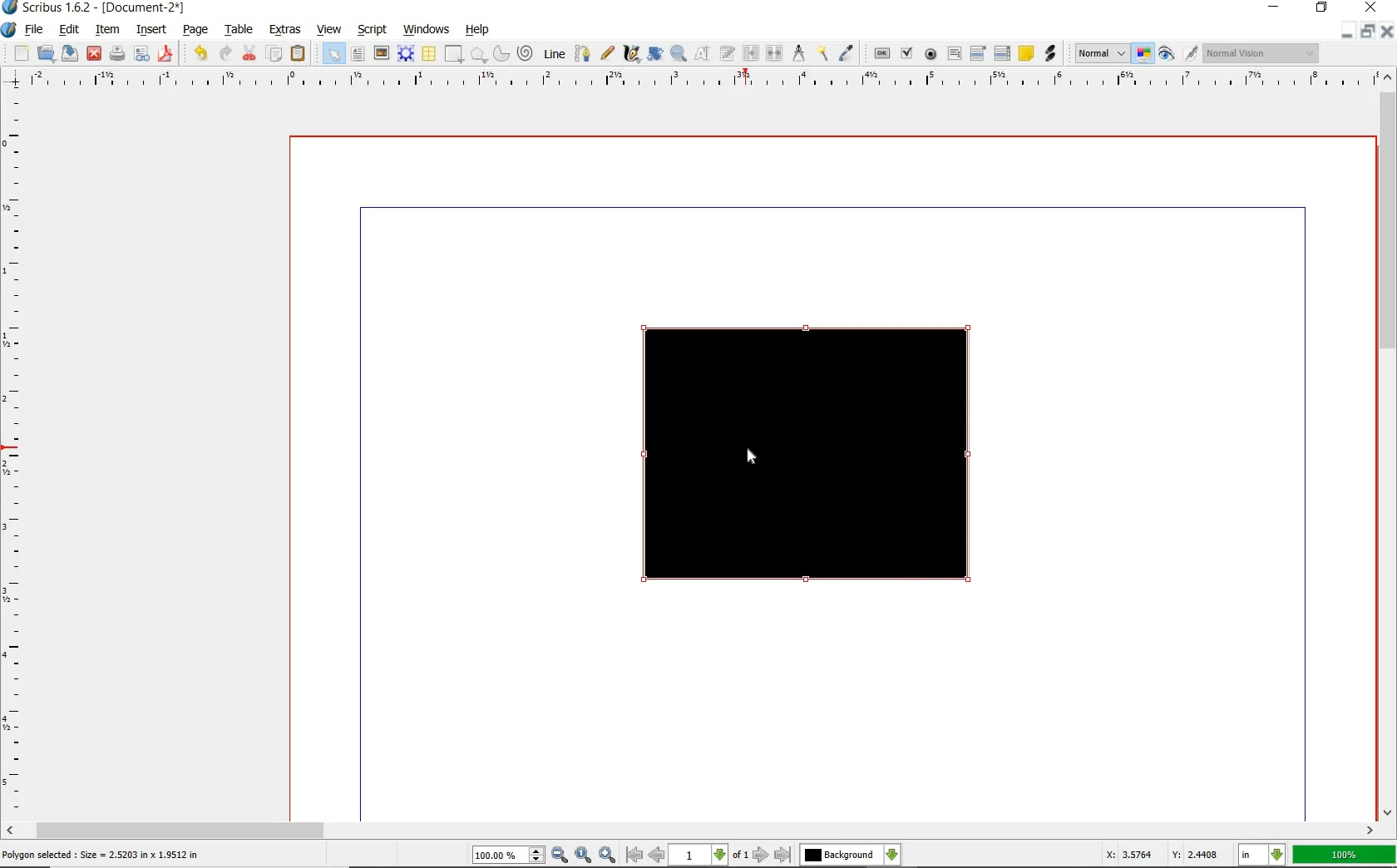 The height and width of the screenshot is (868, 1397). I want to click on link text frames, so click(749, 55).